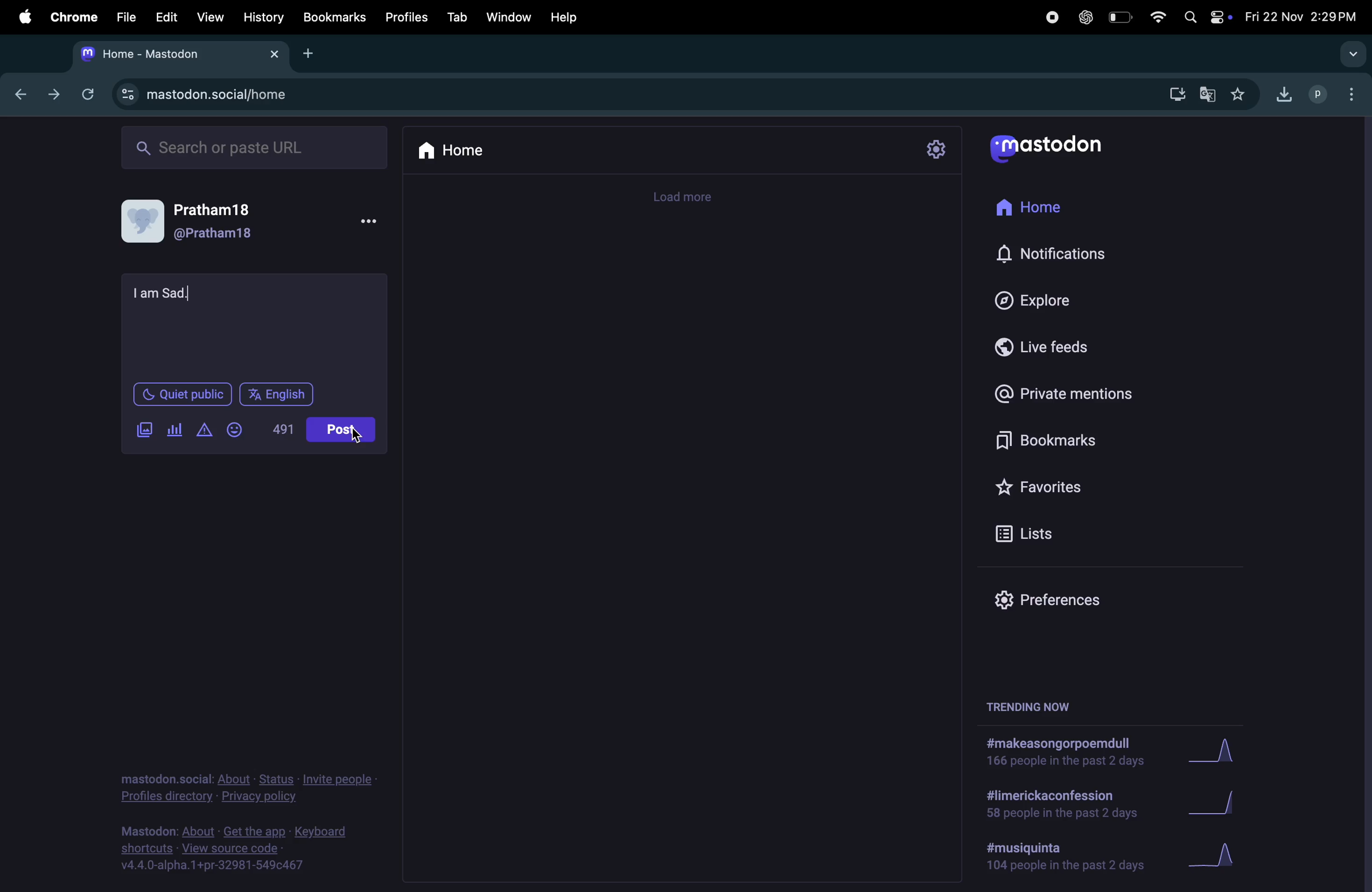 The image size is (1372, 892). I want to click on date and time, so click(1305, 16).